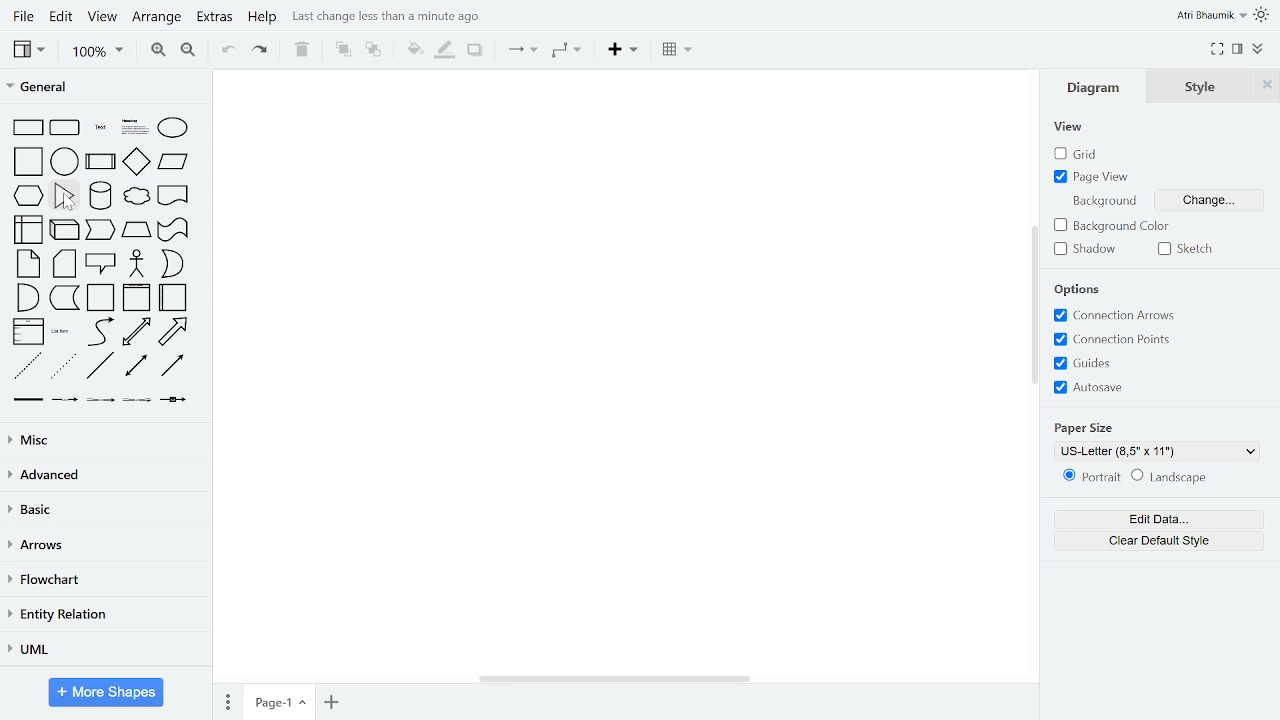 The image size is (1280, 720). What do you see at coordinates (26, 195) in the screenshot?
I see `hexagon` at bounding box center [26, 195].